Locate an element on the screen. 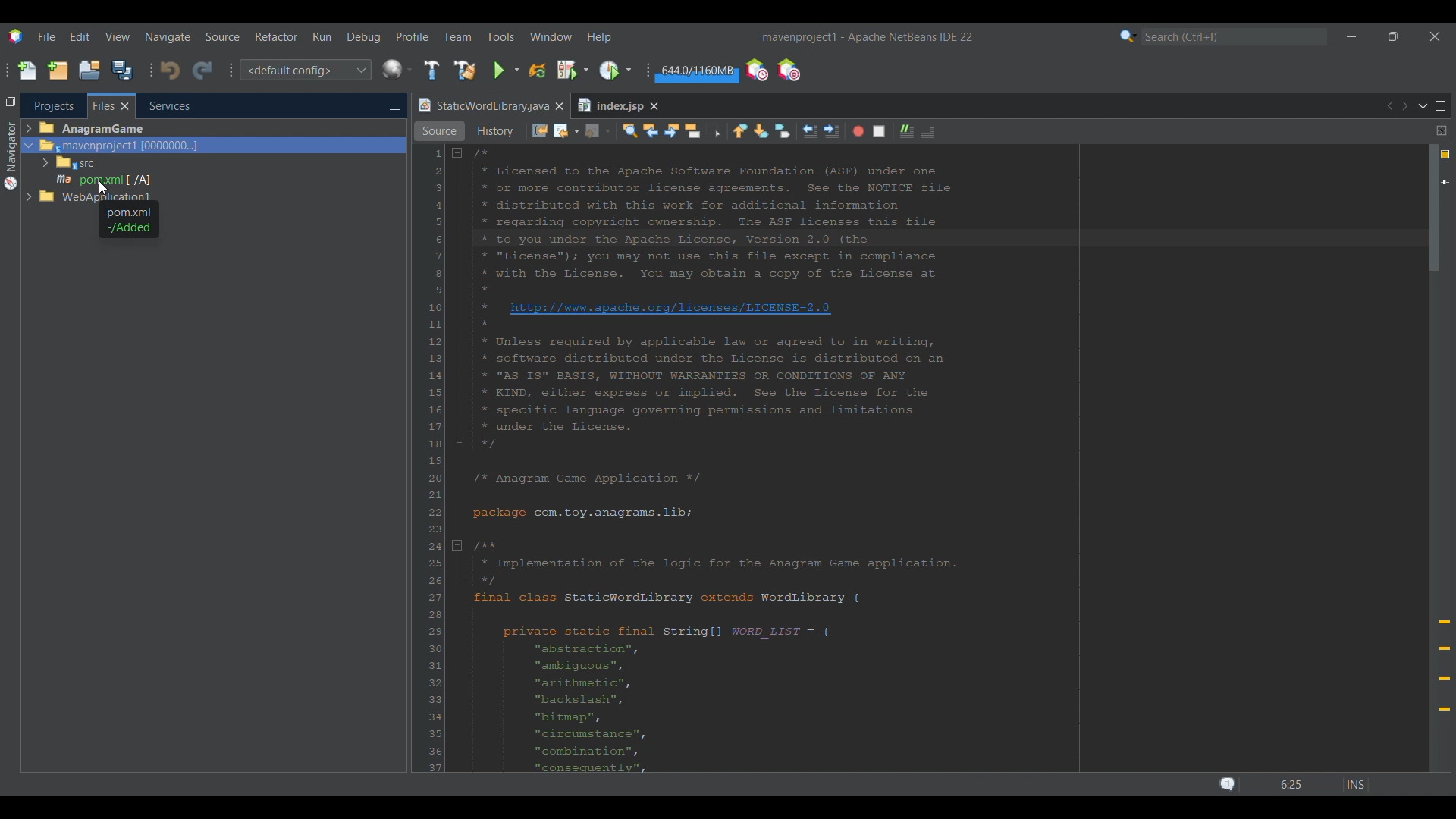 The width and height of the screenshot is (1456, 819). Restore window group is located at coordinates (11, 101).